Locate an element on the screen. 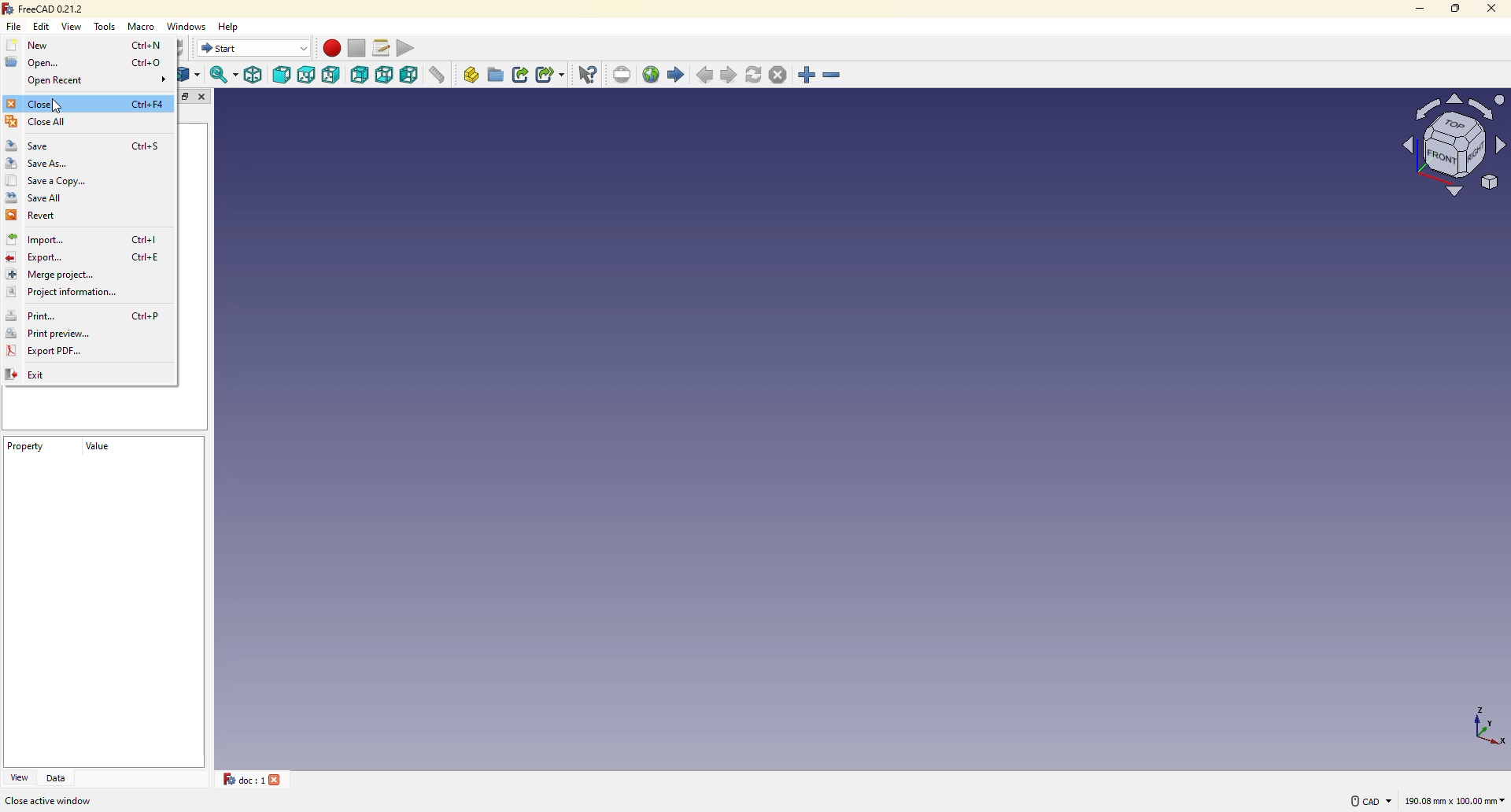  switch between workbenches is located at coordinates (254, 48).